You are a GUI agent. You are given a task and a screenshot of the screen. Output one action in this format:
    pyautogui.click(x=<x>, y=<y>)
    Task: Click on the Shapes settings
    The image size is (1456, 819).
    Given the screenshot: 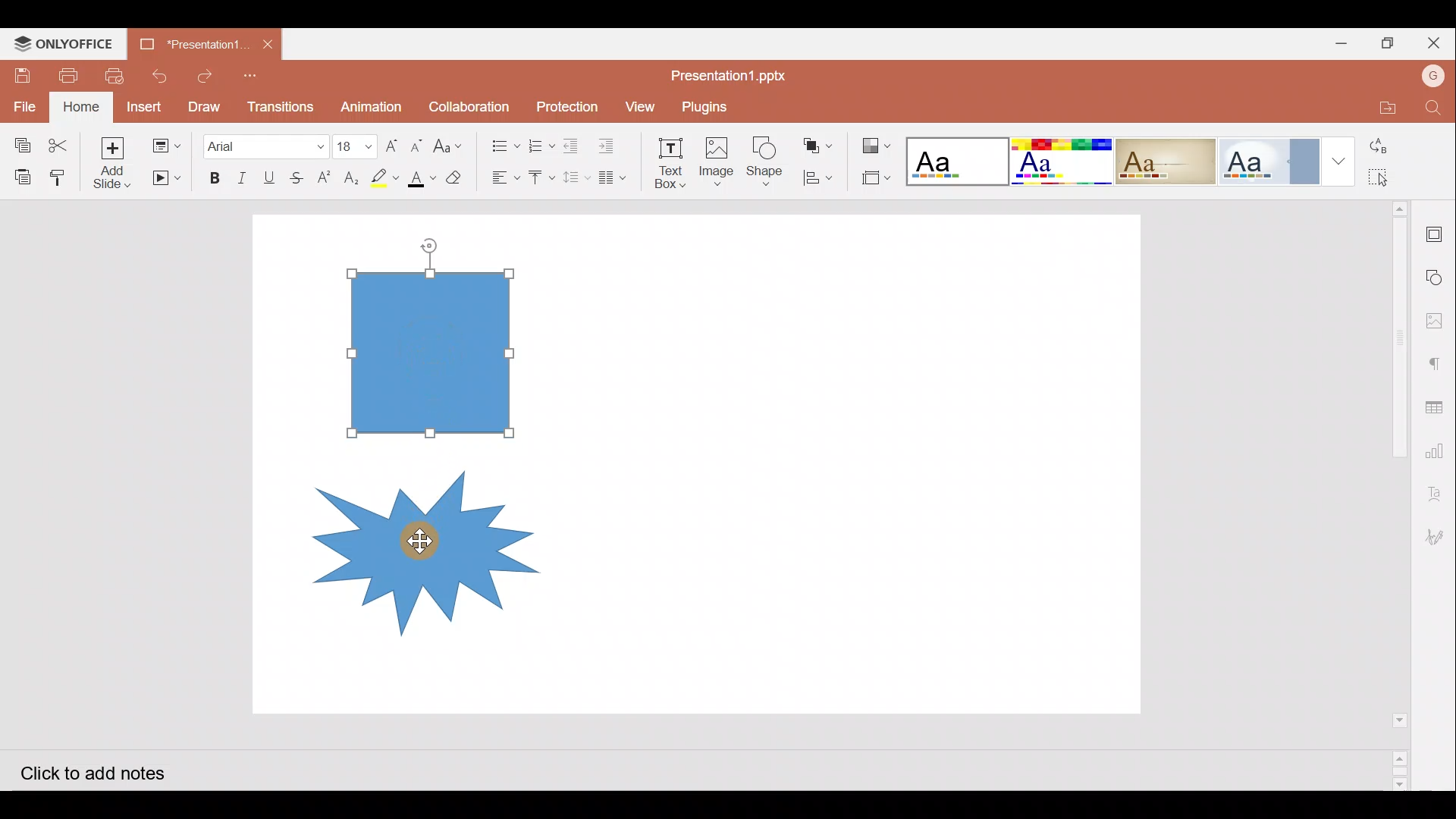 What is the action you would take?
    pyautogui.click(x=1437, y=274)
    